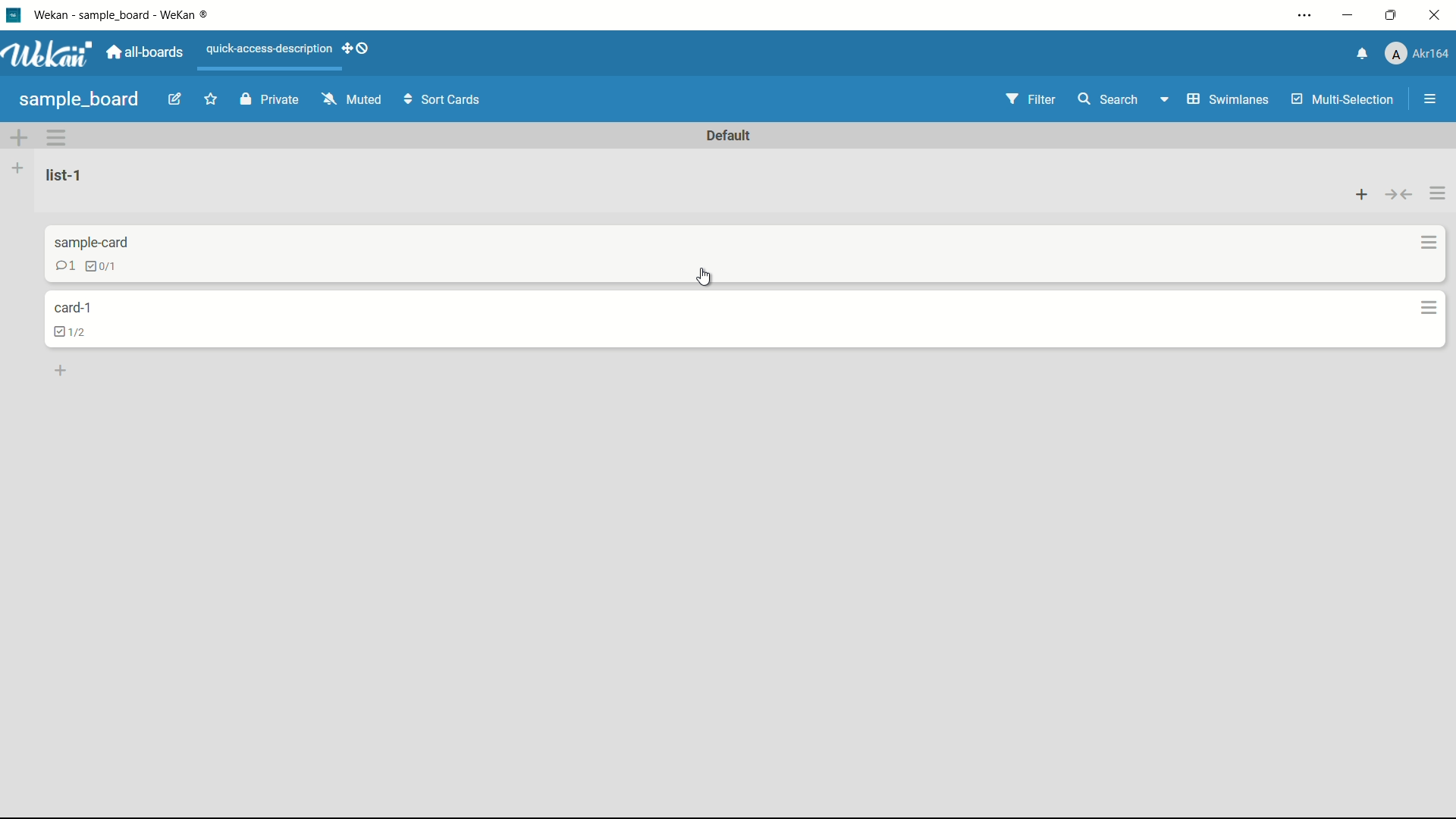  Describe the element at coordinates (1108, 99) in the screenshot. I see `search` at that location.